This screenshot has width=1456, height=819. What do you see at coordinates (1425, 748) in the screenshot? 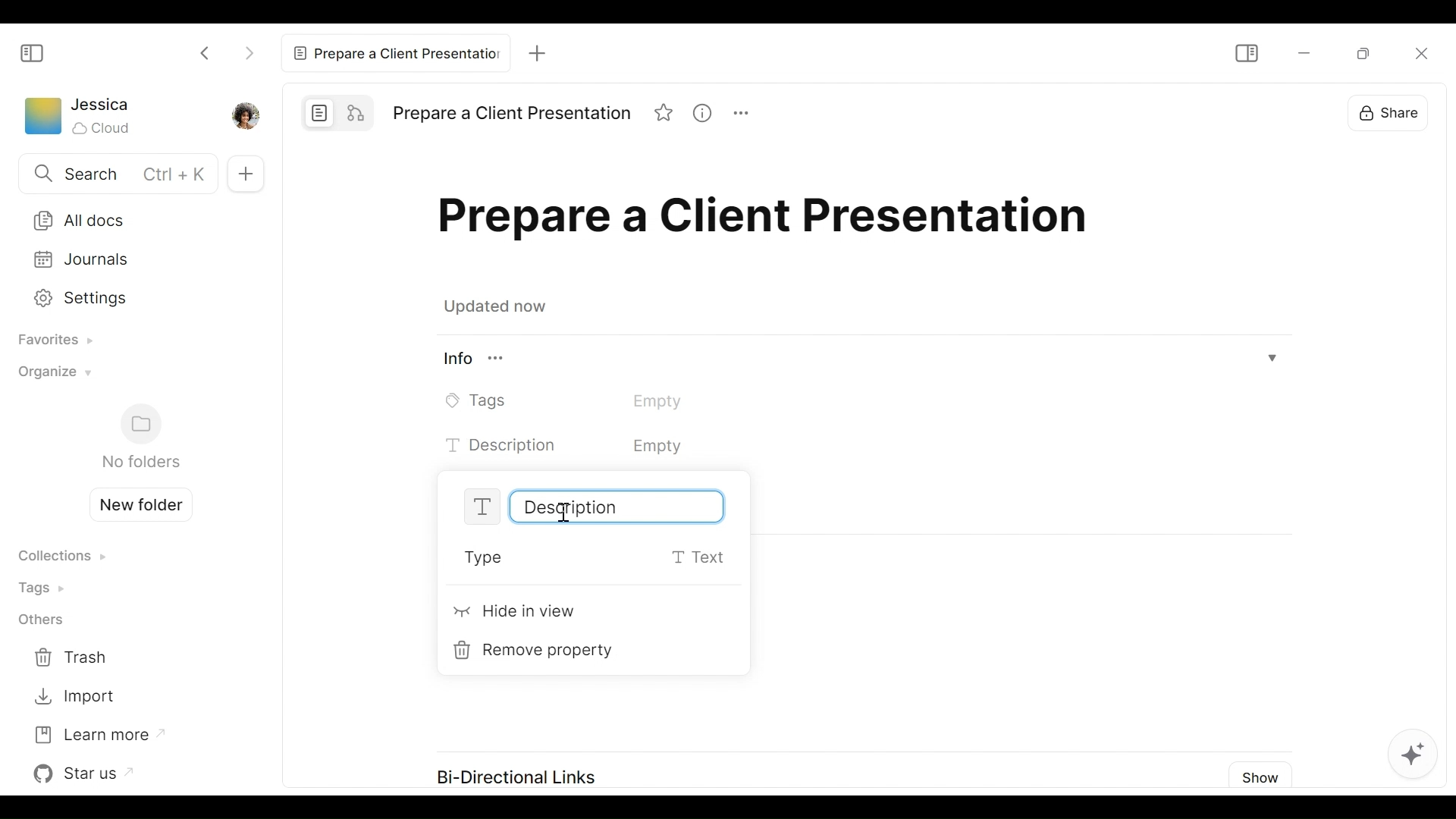
I see `AI` at bounding box center [1425, 748].